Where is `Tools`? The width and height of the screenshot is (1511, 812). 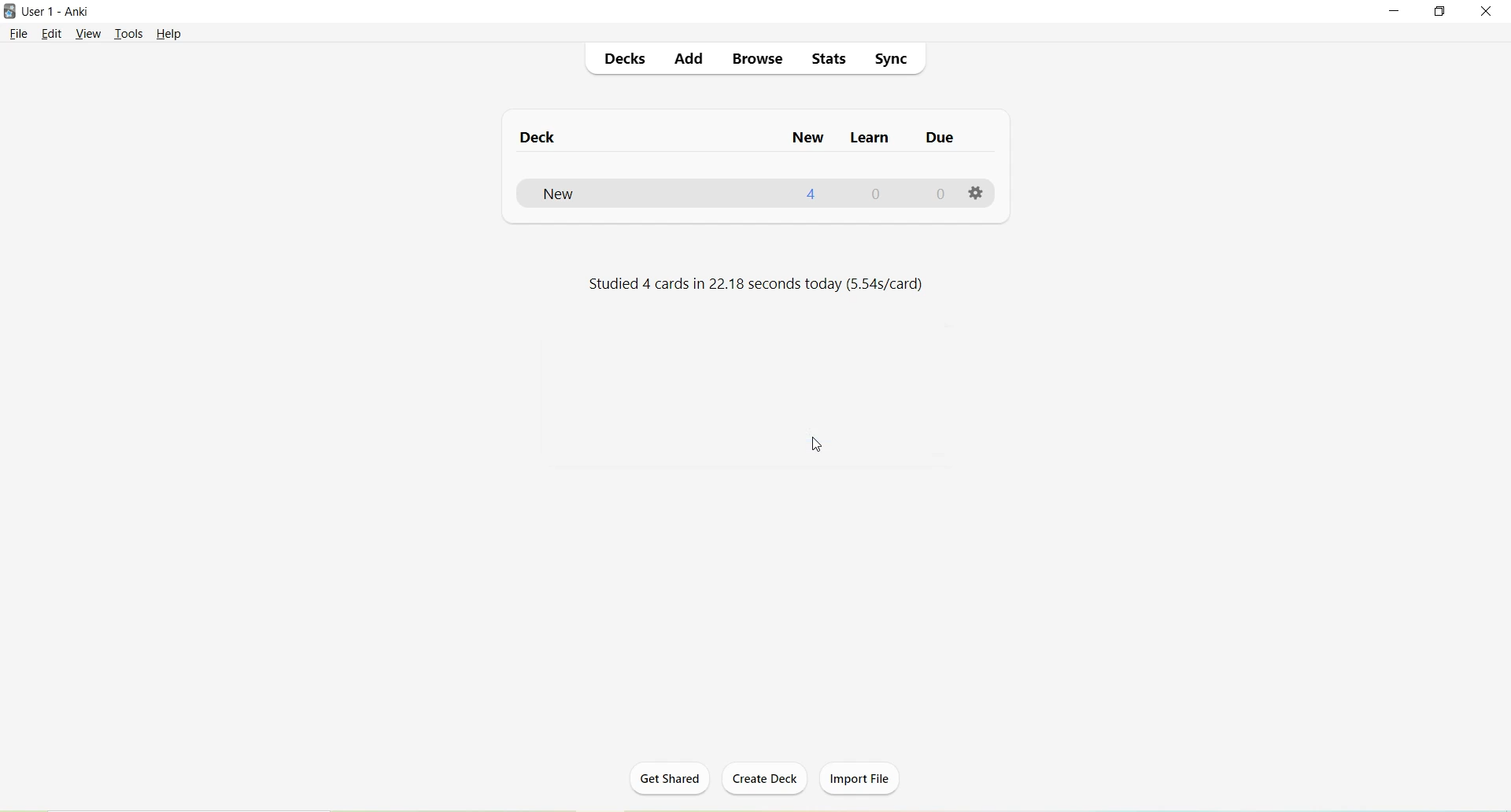 Tools is located at coordinates (128, 35).